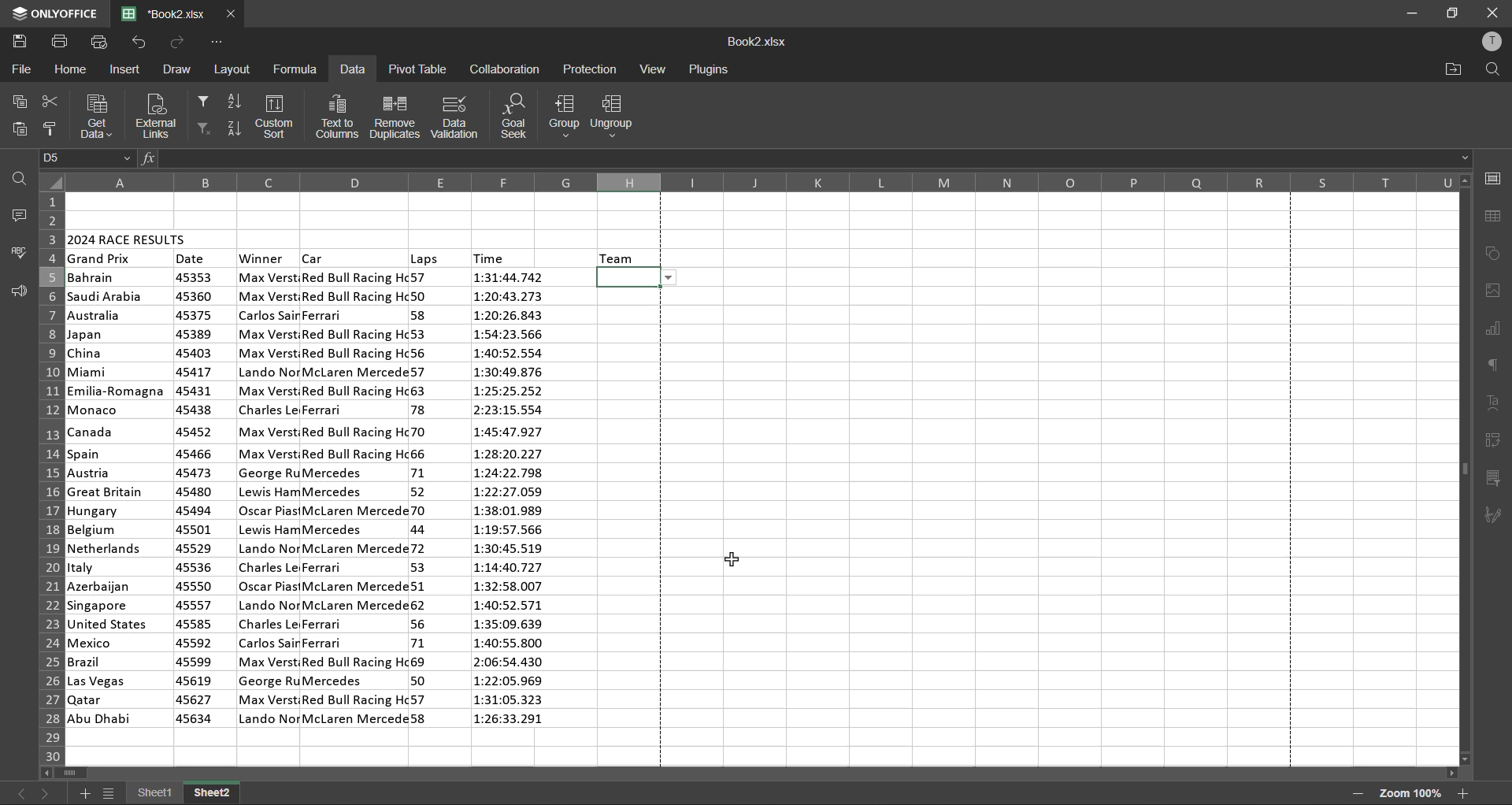 The image size is (1512, 805). I want to click on find, so click(22, 178).